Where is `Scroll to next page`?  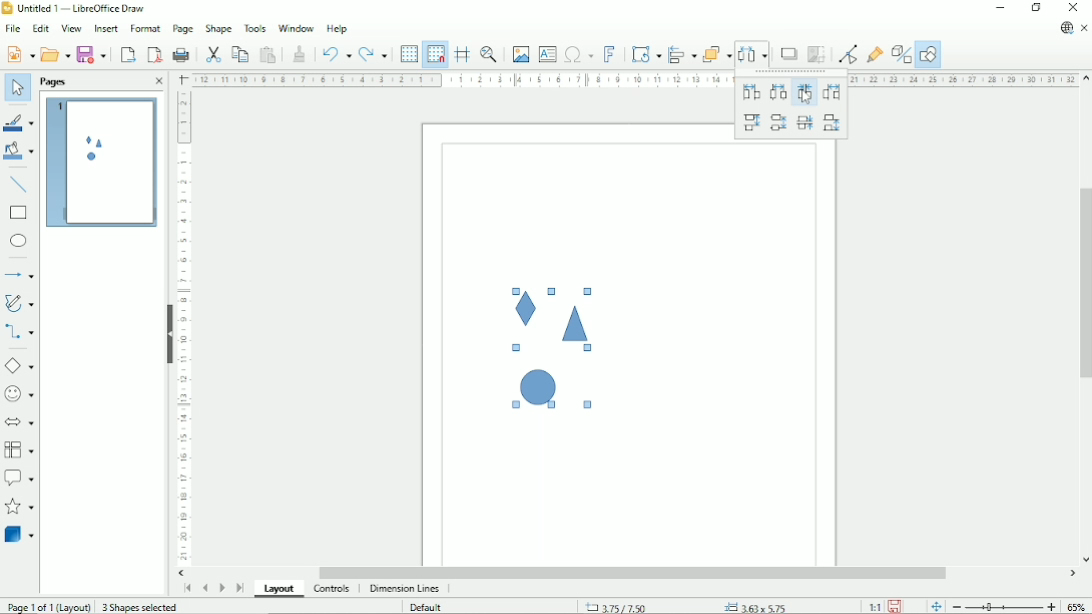
Scroll to next page is located at coordinates (221, 587).